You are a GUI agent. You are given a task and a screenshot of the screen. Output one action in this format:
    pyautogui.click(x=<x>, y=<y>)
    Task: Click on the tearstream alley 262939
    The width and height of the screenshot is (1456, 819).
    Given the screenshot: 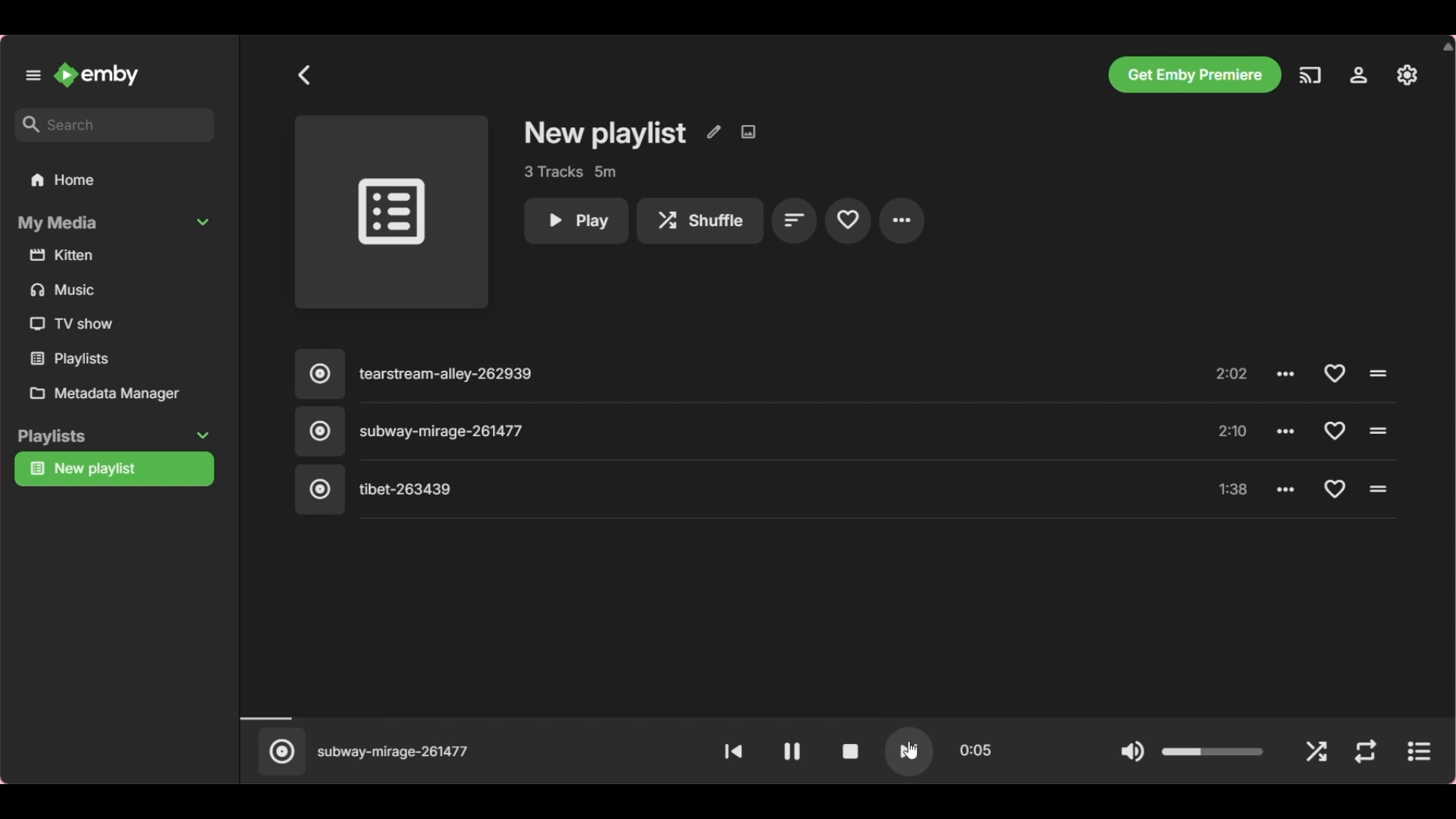 What is the action you would take?
    pyautogui.click(x=428, y=368)
    